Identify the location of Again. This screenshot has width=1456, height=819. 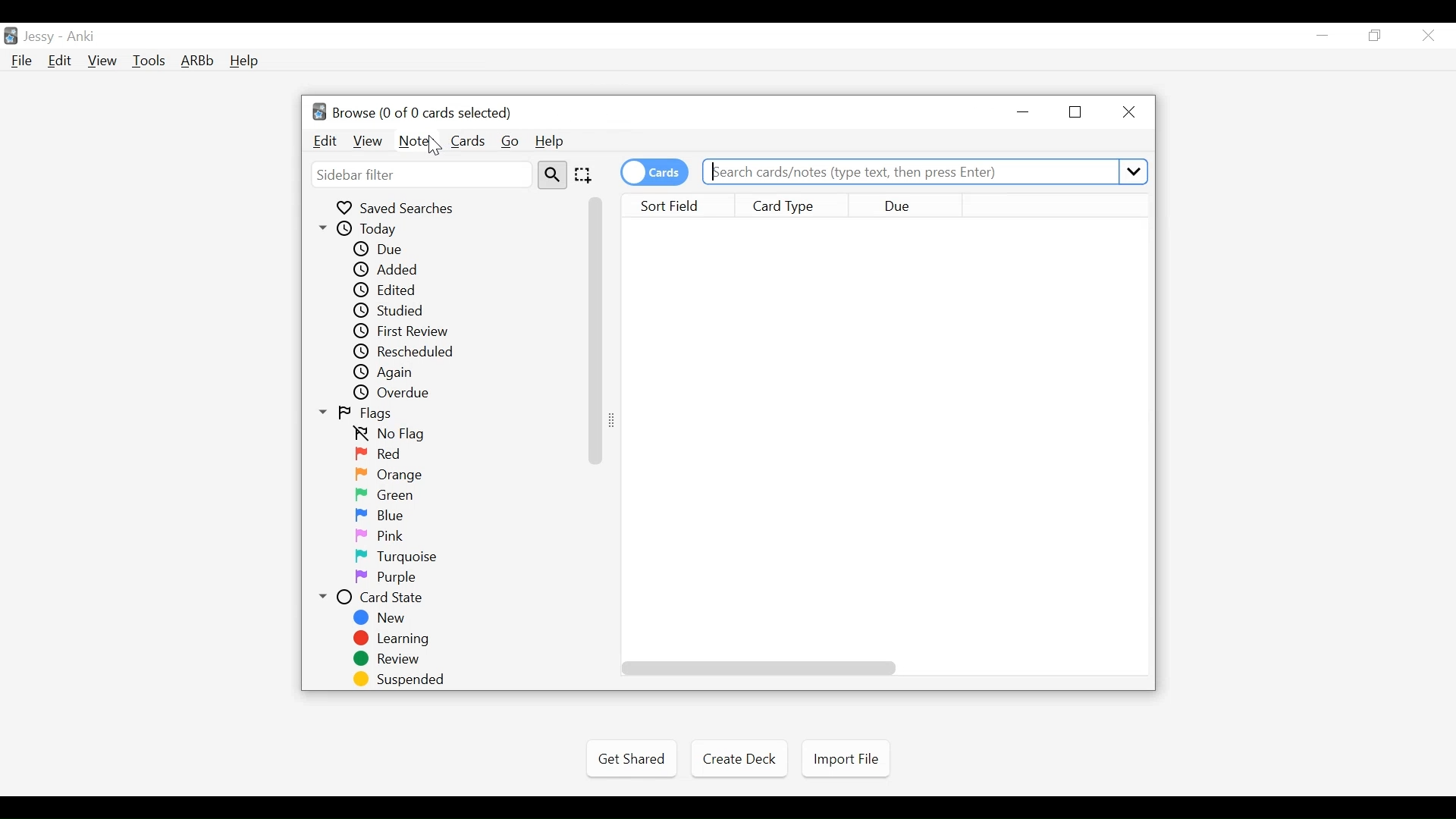
(388, 372).